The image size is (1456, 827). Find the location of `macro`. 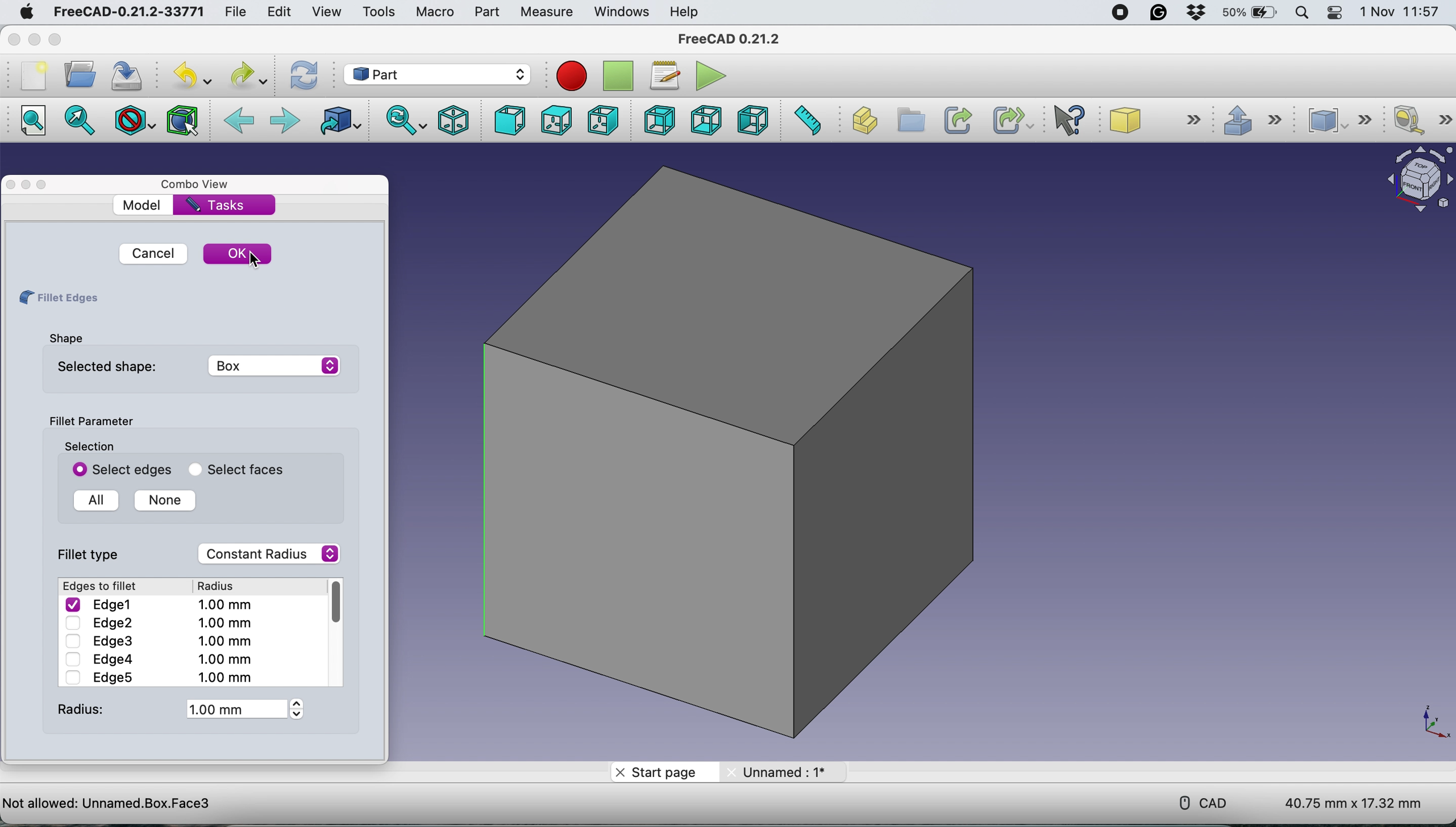

macro is located at coordinates (434, 11).